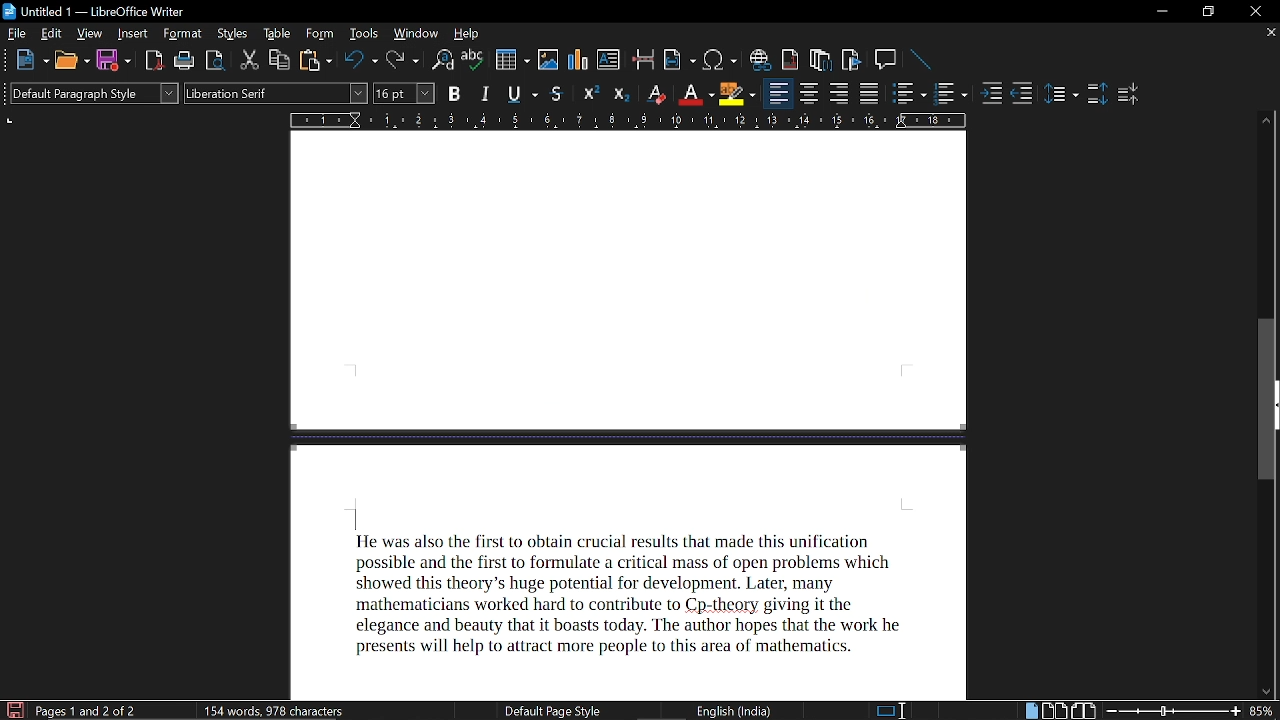 The width and height of the screenshot is (1280, 720). I want to click on Change zoom, so click(1173, 712).